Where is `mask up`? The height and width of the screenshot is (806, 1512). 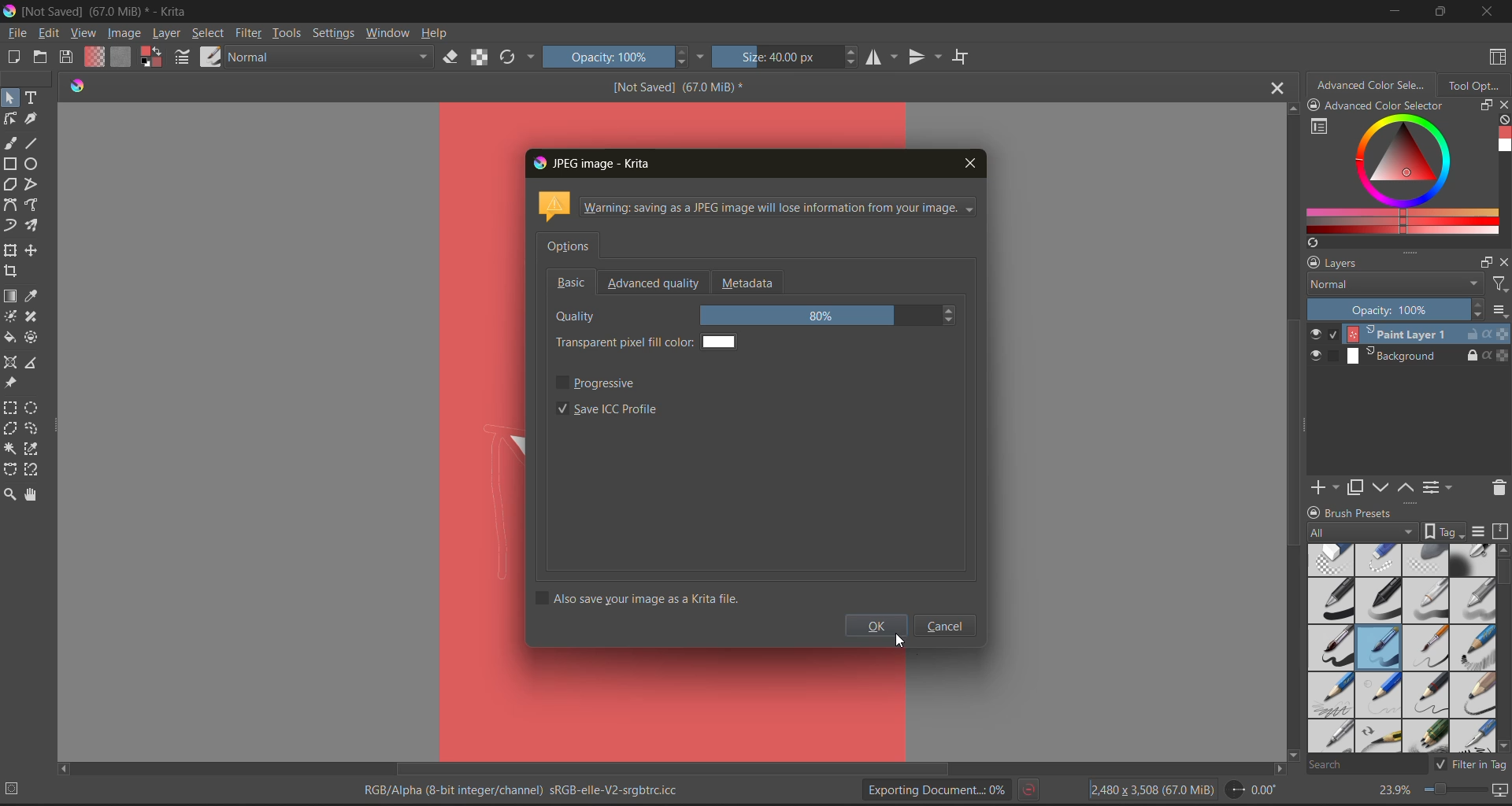
mask up is located at coordinates (1408, 486).